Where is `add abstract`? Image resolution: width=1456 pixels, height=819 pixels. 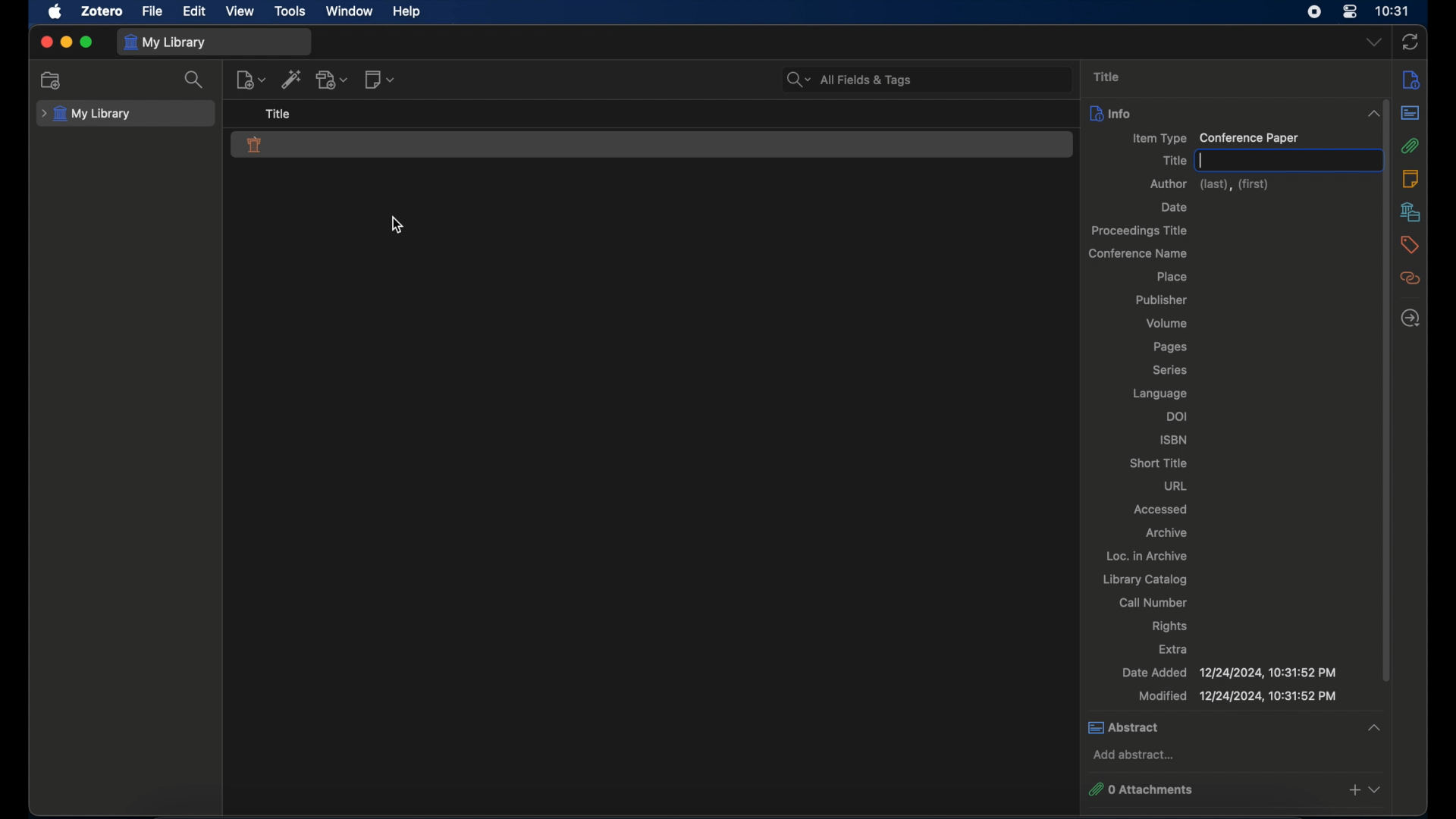
add abstract is located at coordinates (1136, 755).